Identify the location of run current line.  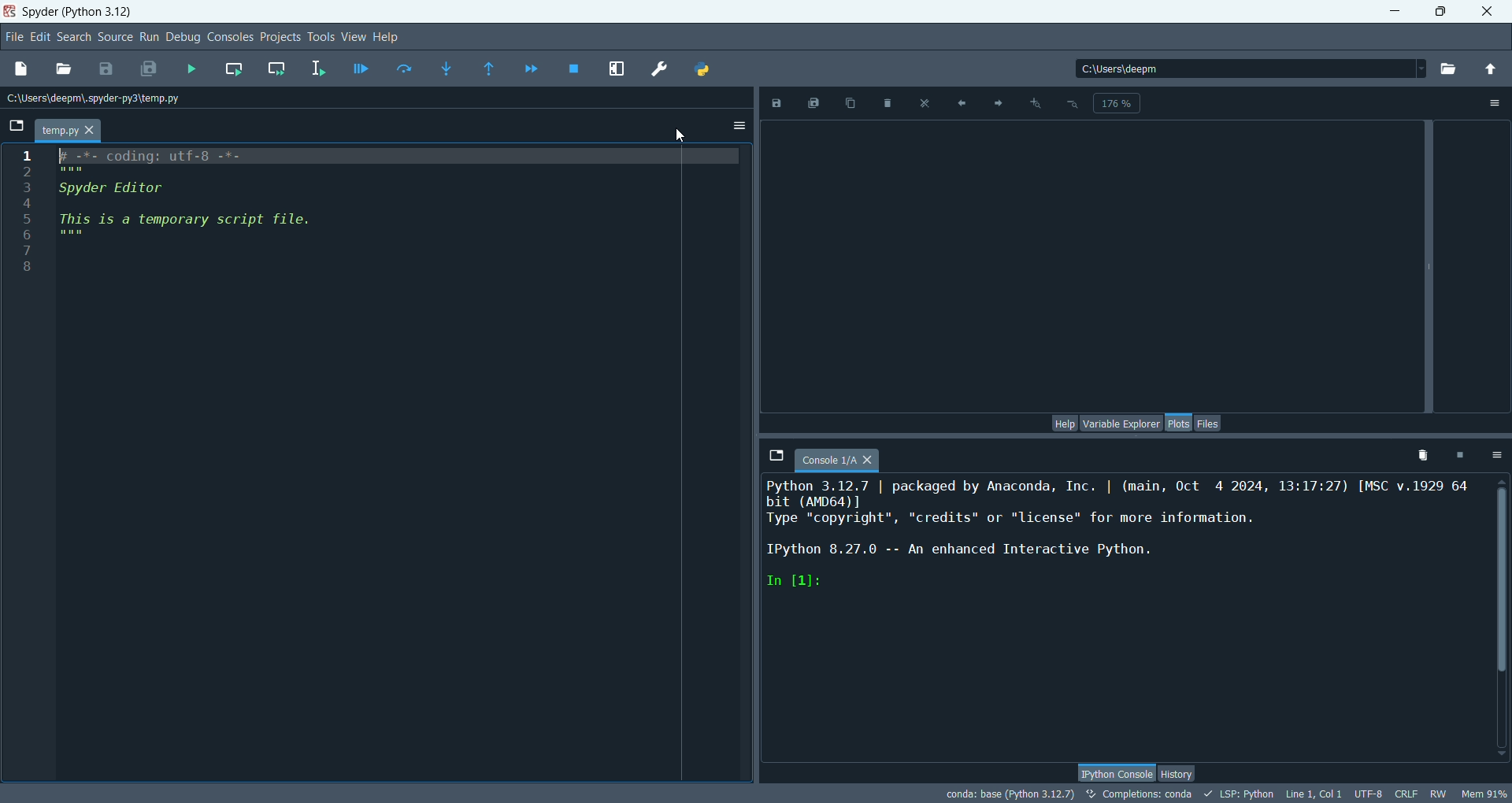
(402, 68).